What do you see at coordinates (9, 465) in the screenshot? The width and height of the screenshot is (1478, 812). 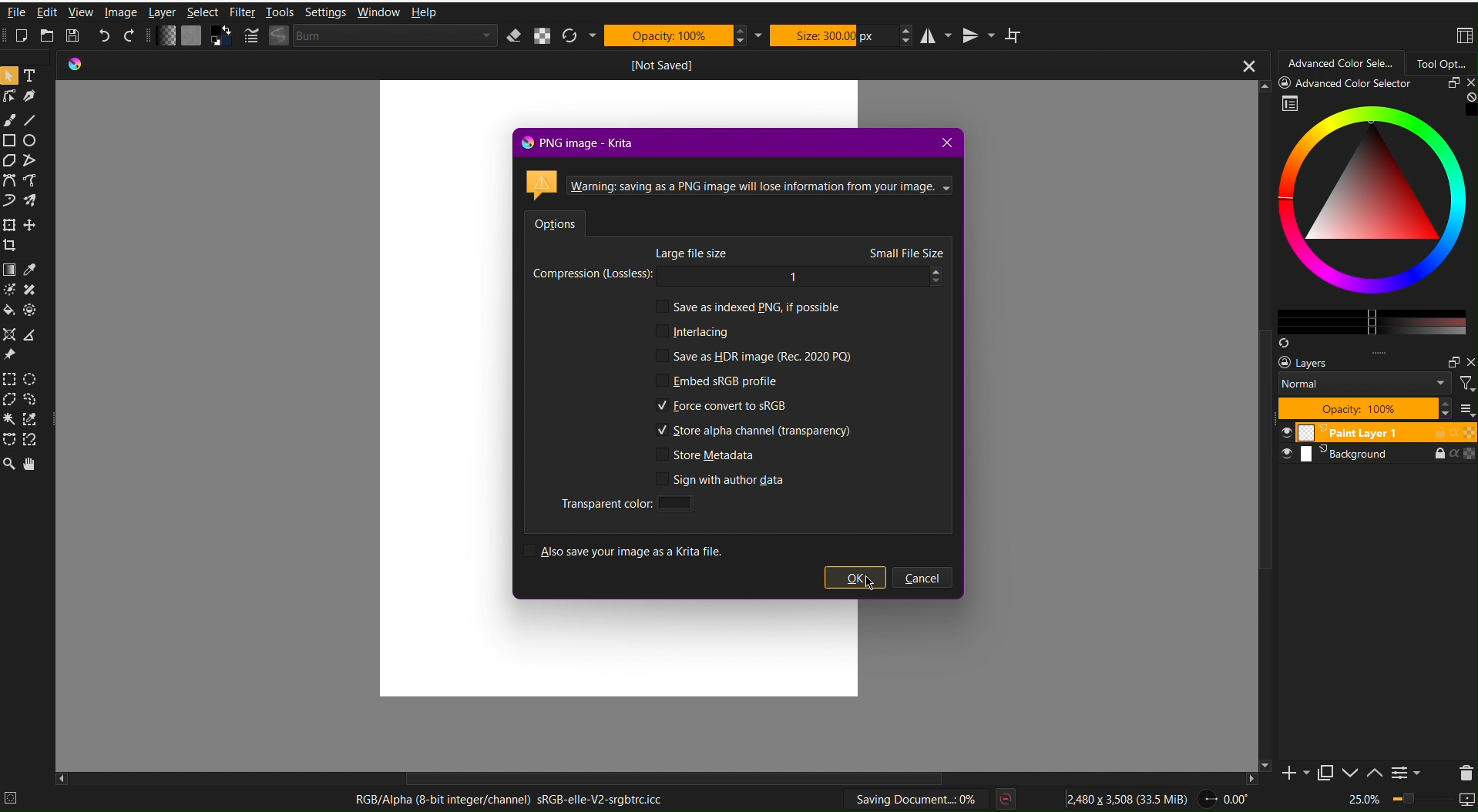 I see `Zoom` at bounding box center [9, 465].